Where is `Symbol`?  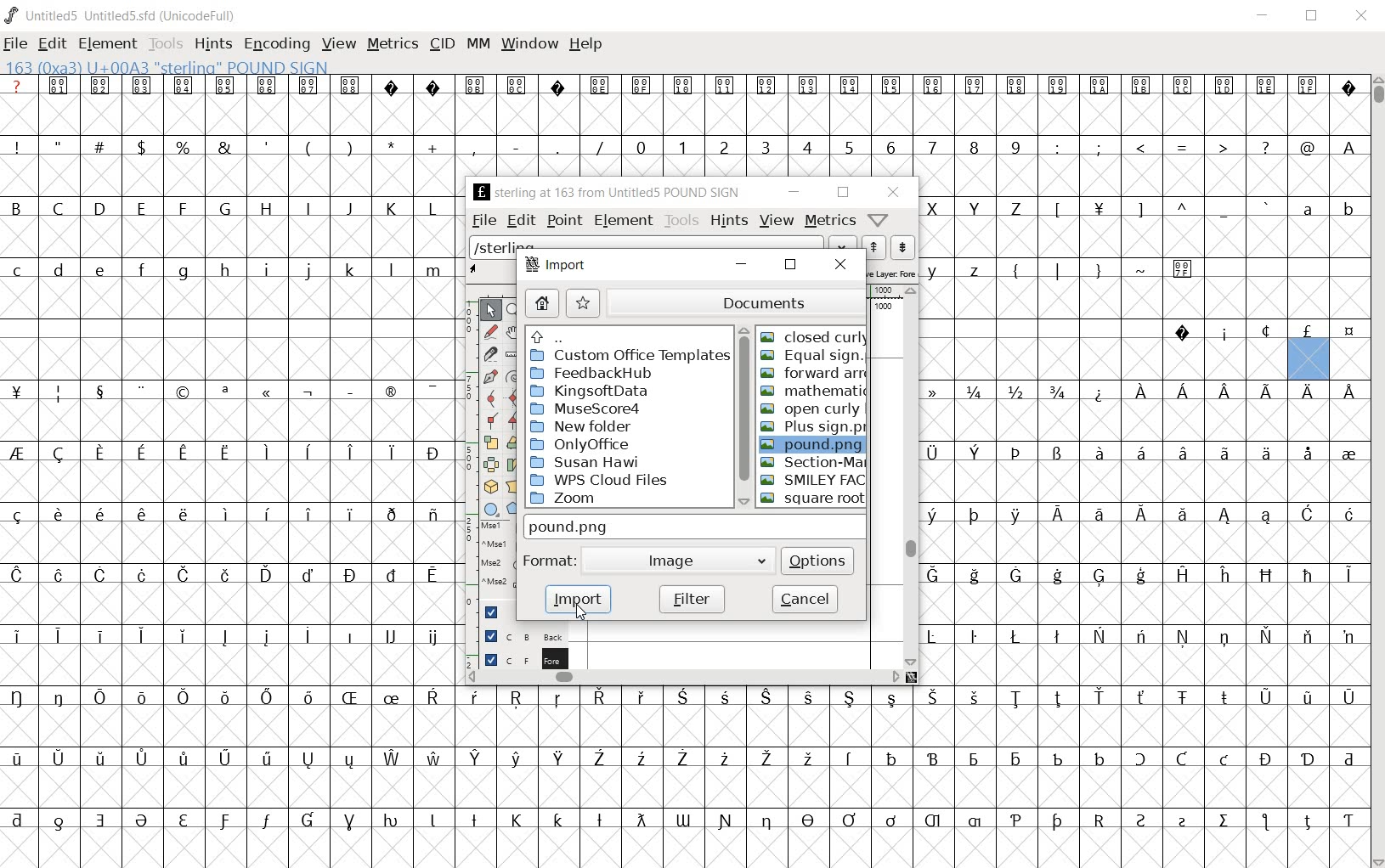
Symbol is located at coordinates (1349, 576).